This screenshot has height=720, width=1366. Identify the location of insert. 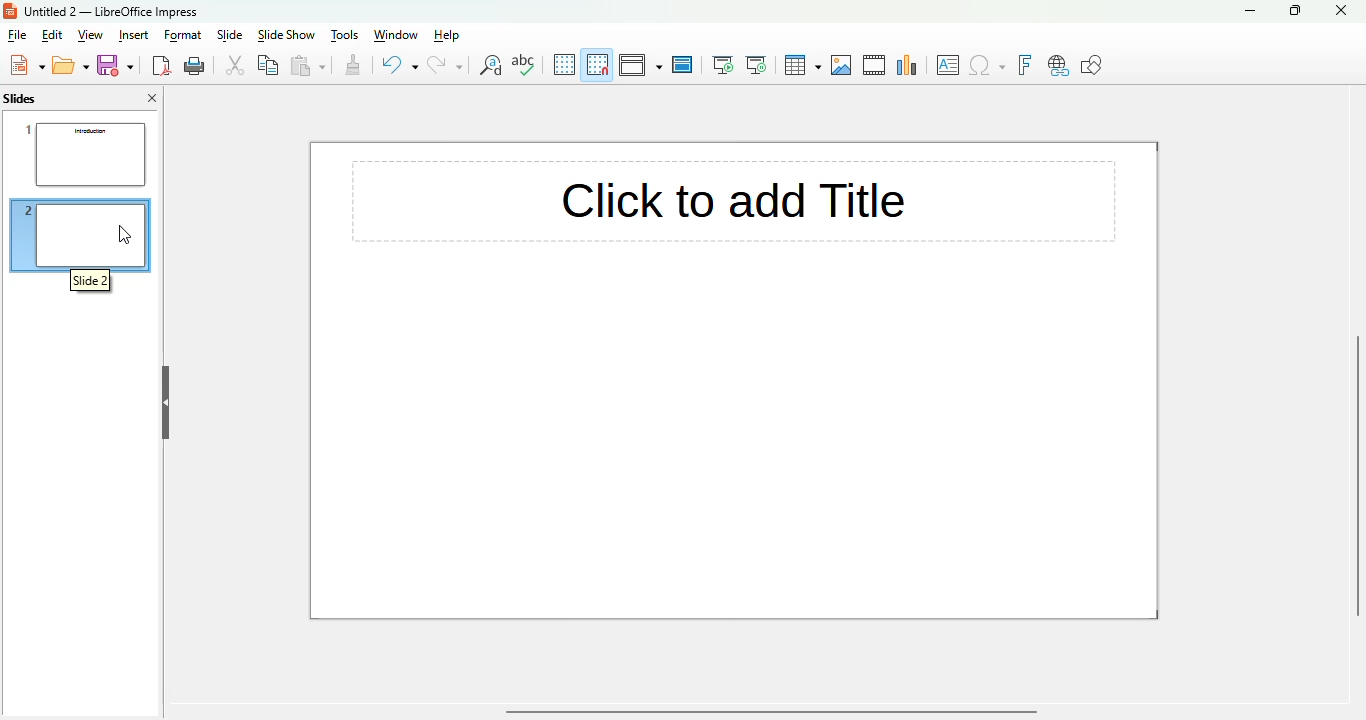
(133, 36).